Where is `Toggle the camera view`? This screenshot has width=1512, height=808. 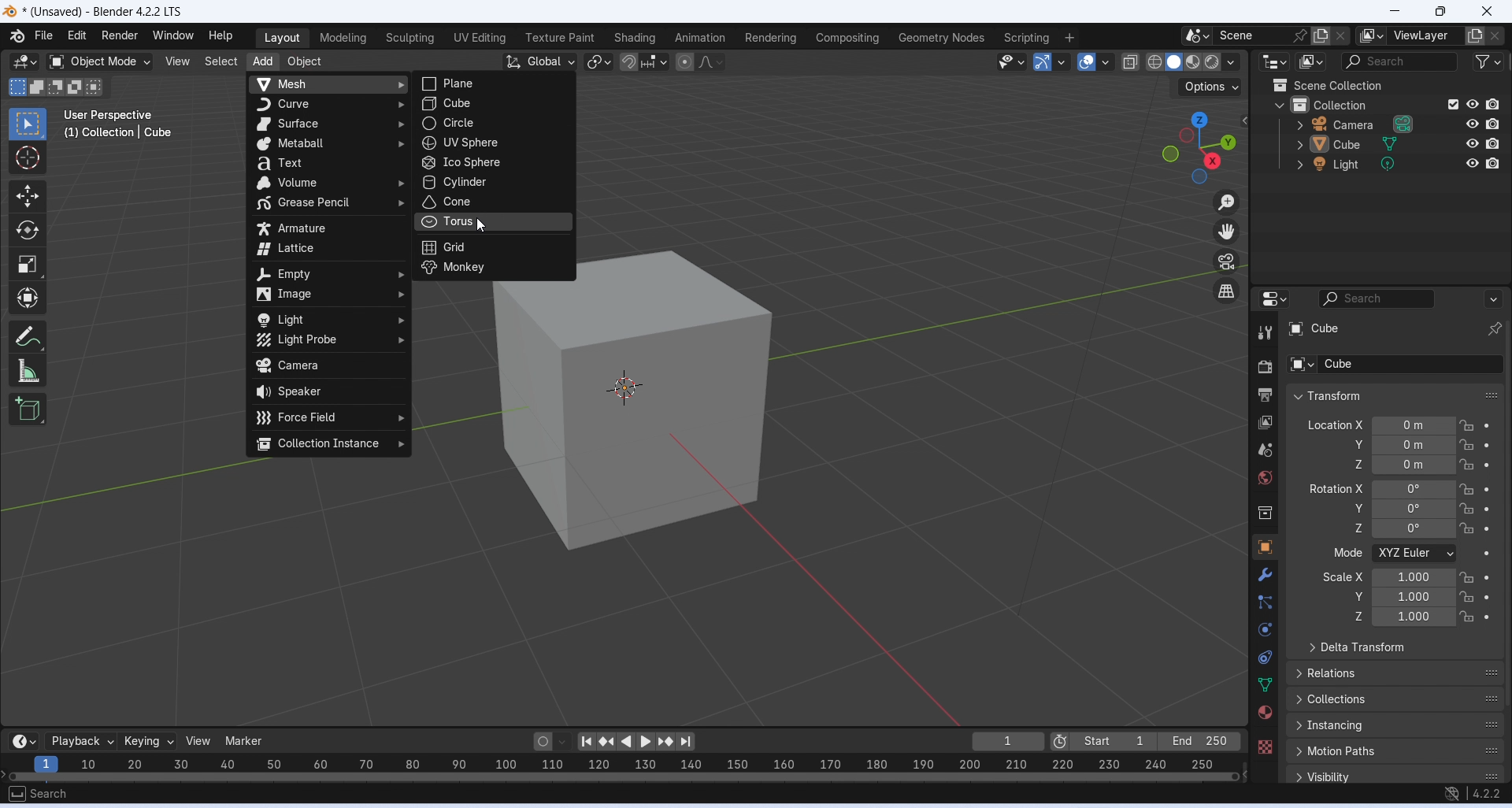 Toggle the camera view is located at coordinates (1227, 261).